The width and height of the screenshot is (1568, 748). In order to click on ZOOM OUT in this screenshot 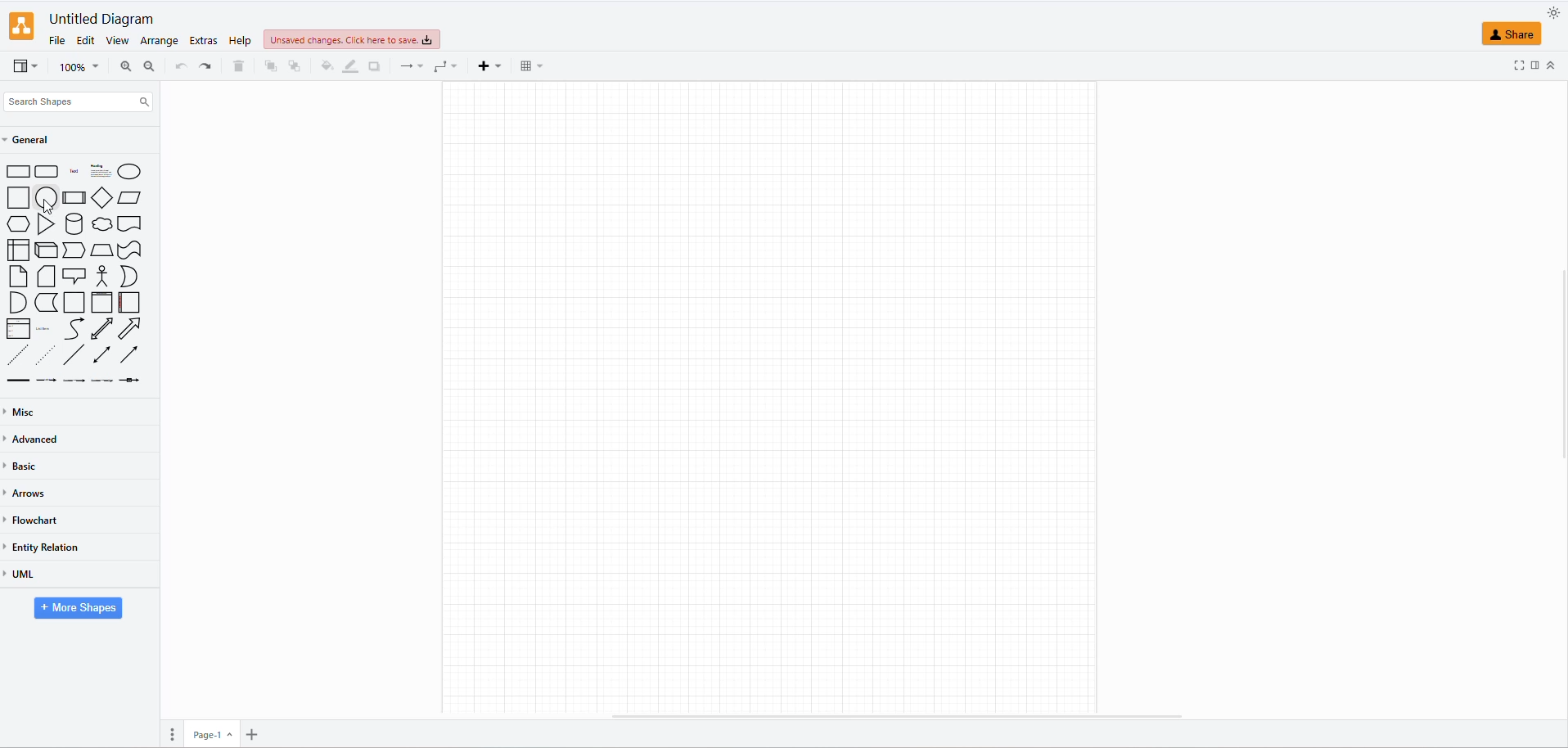, I will do `click(148, 65)`.